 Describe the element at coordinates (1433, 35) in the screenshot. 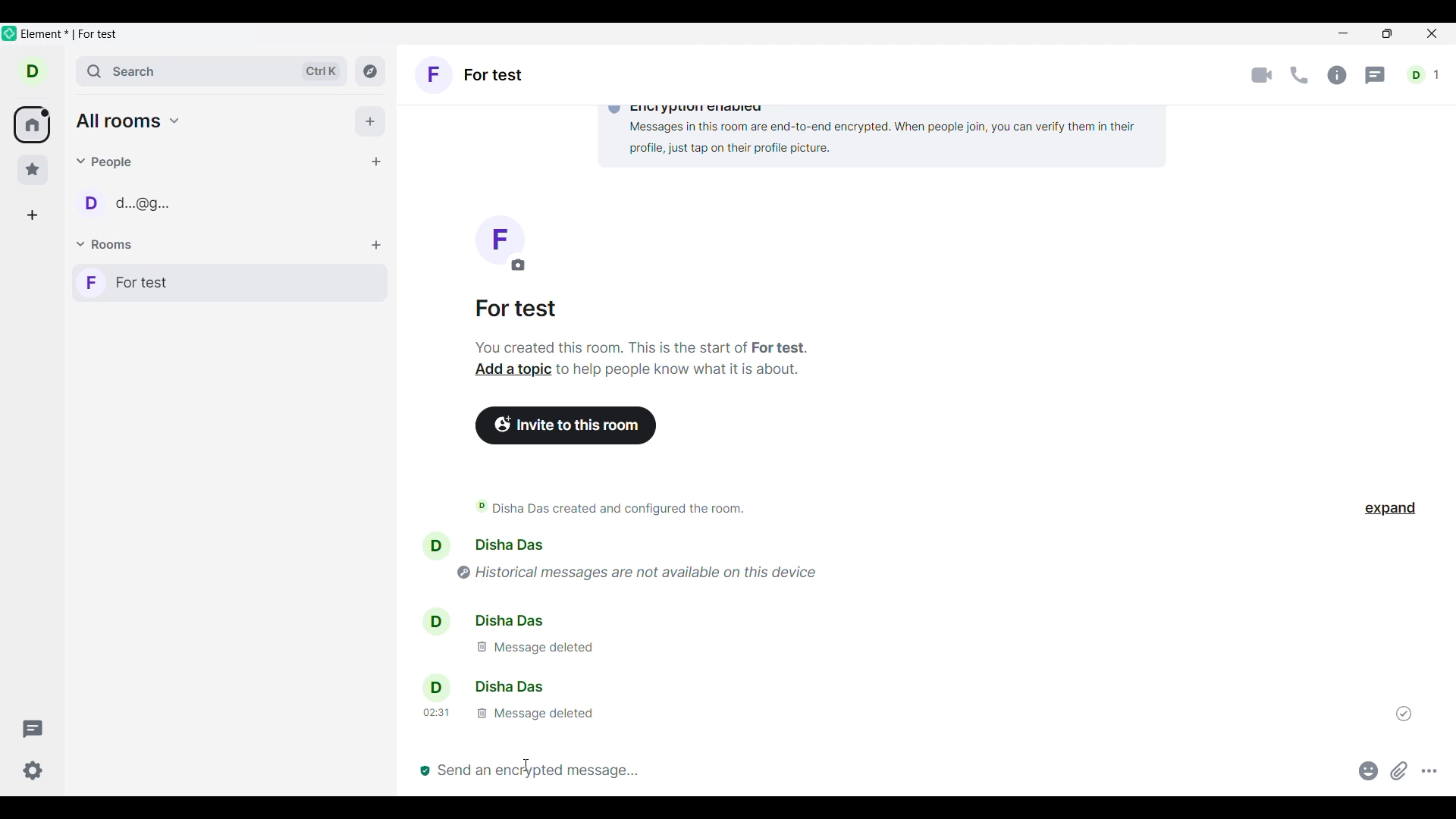

I see `Close interface` at that location.